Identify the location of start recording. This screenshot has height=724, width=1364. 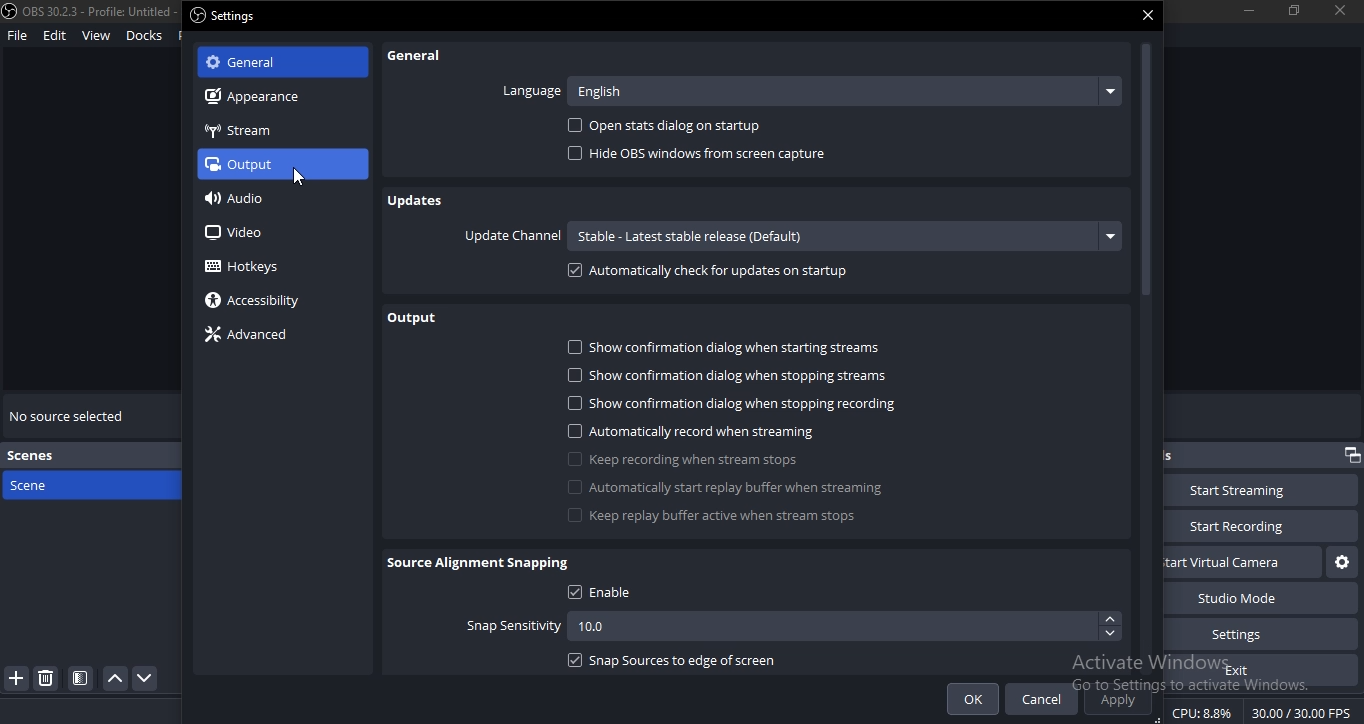
(1259, 524).